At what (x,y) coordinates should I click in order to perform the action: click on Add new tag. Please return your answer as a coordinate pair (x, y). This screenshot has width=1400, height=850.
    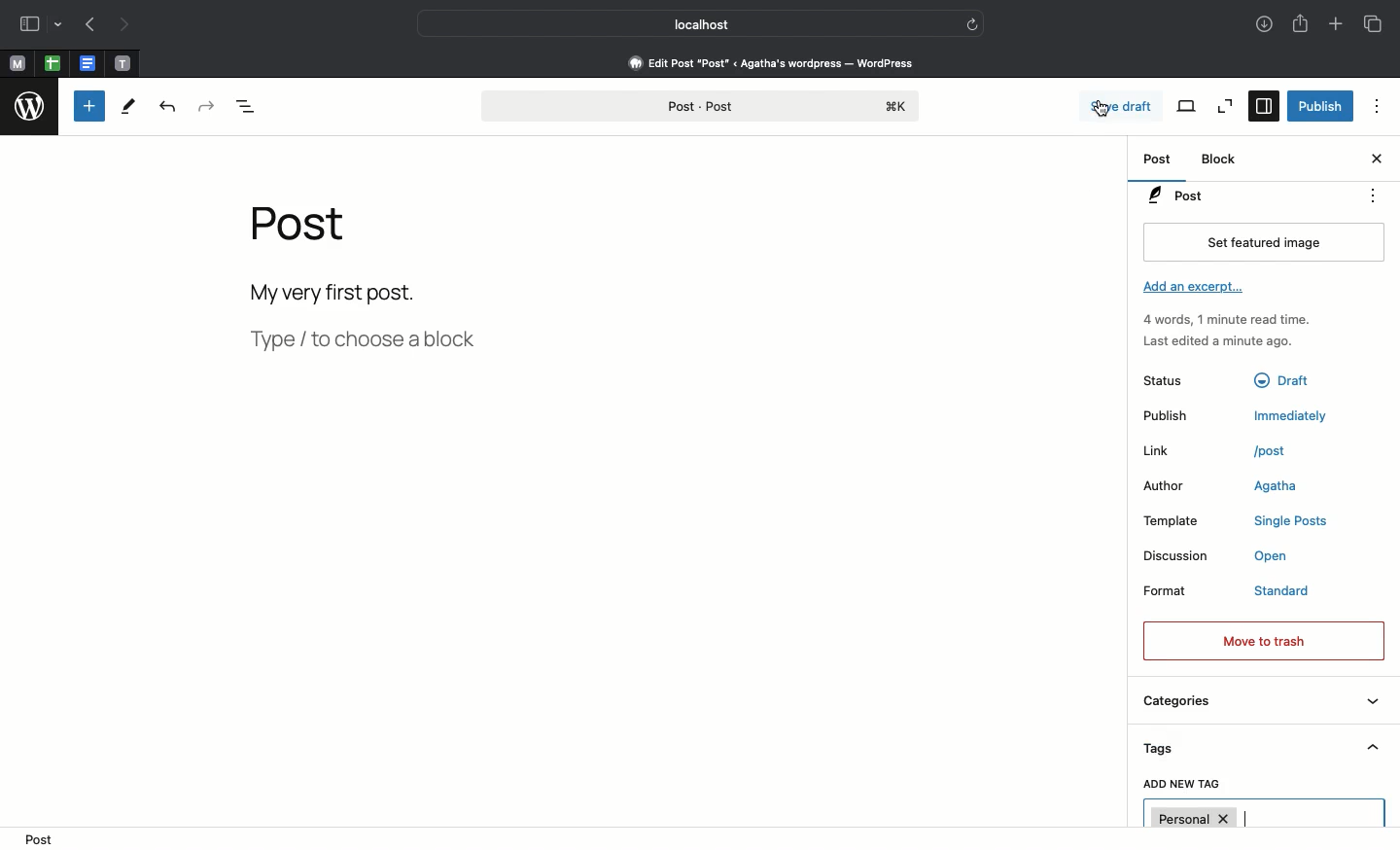
    Looking at the image, I should click on (1182, 786).